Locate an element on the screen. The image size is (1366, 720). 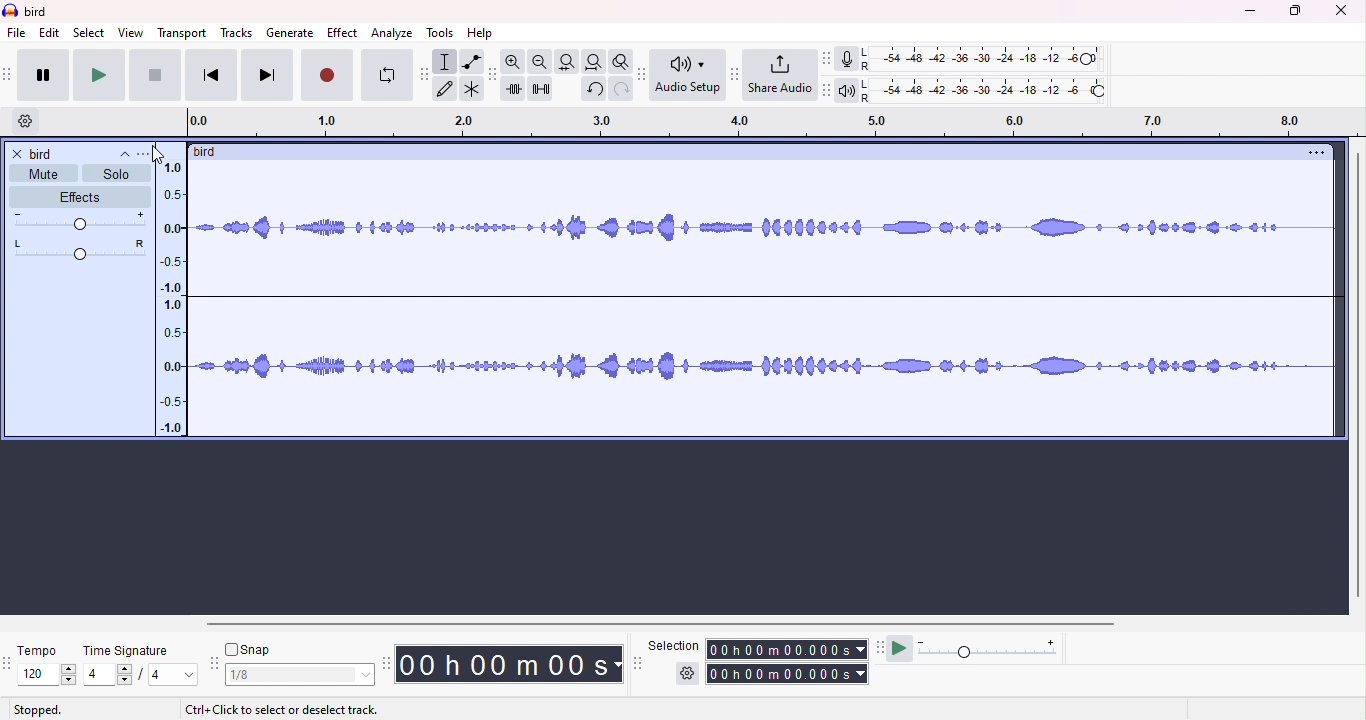
Audio setup tool bar is located at coordinates (645, 73).